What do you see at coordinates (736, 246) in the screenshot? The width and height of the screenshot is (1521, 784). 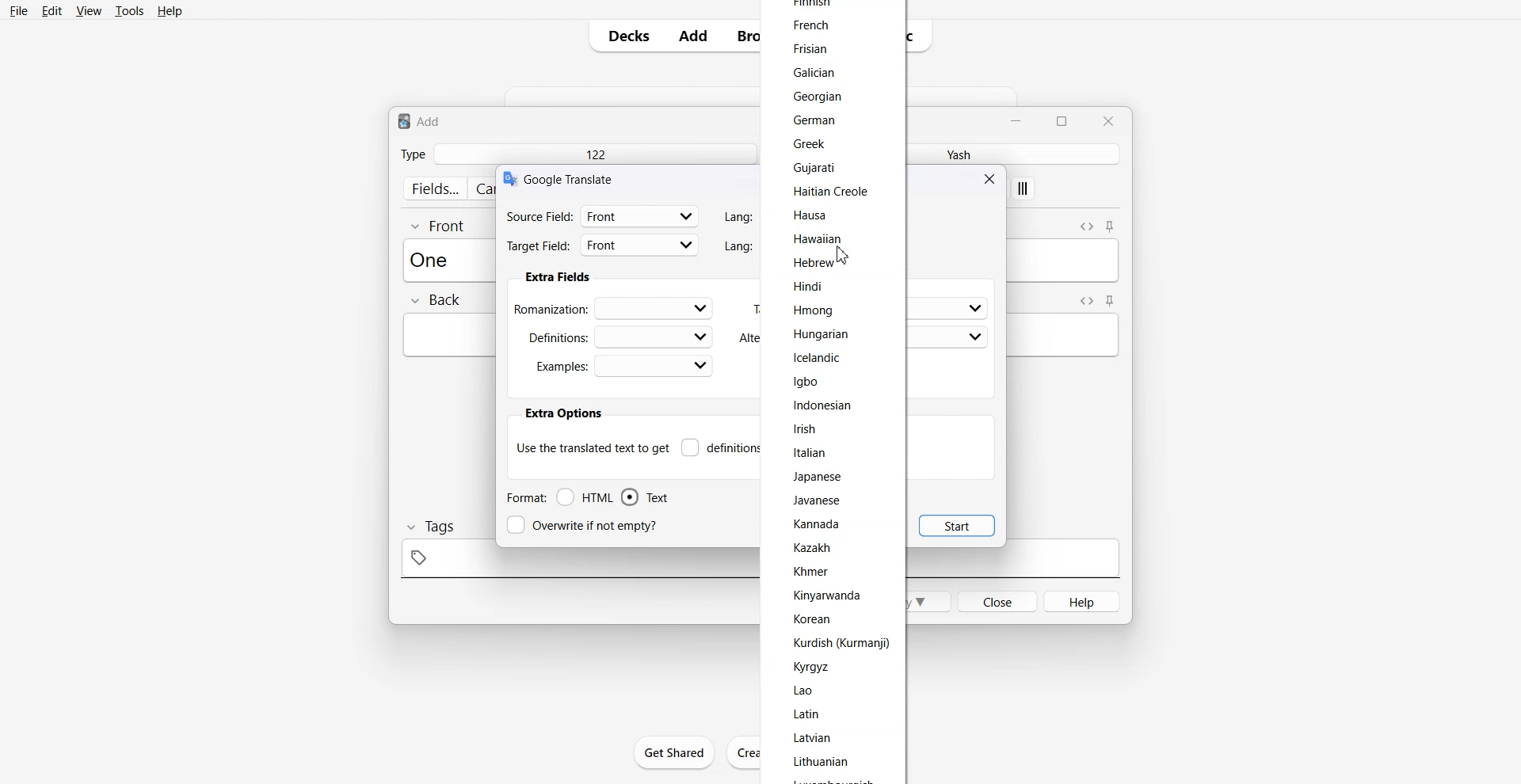 I see `Lang:` at bounding box center [736, 246].